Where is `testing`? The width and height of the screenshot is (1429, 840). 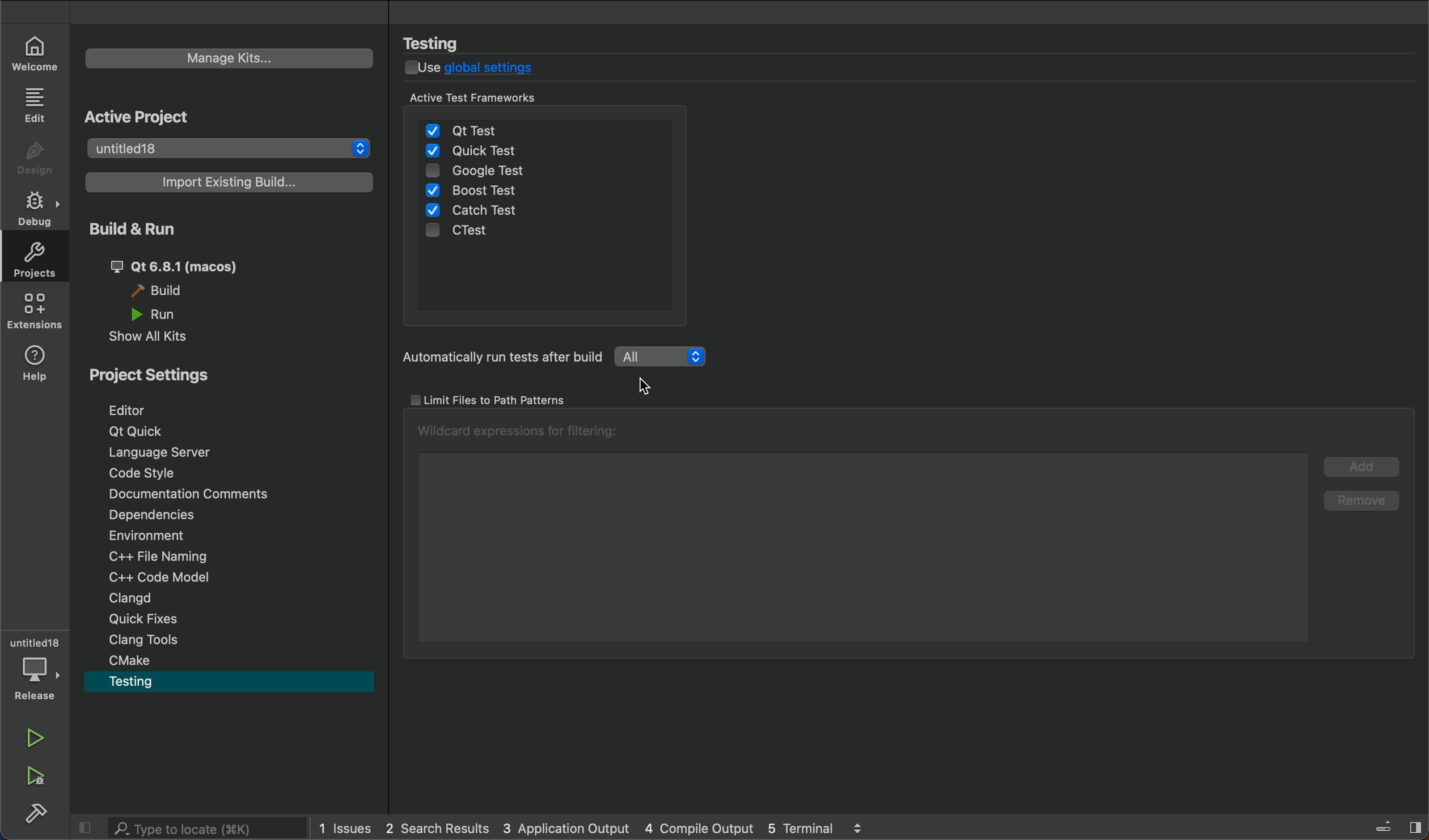 testing is located at coordinates (443, 43).